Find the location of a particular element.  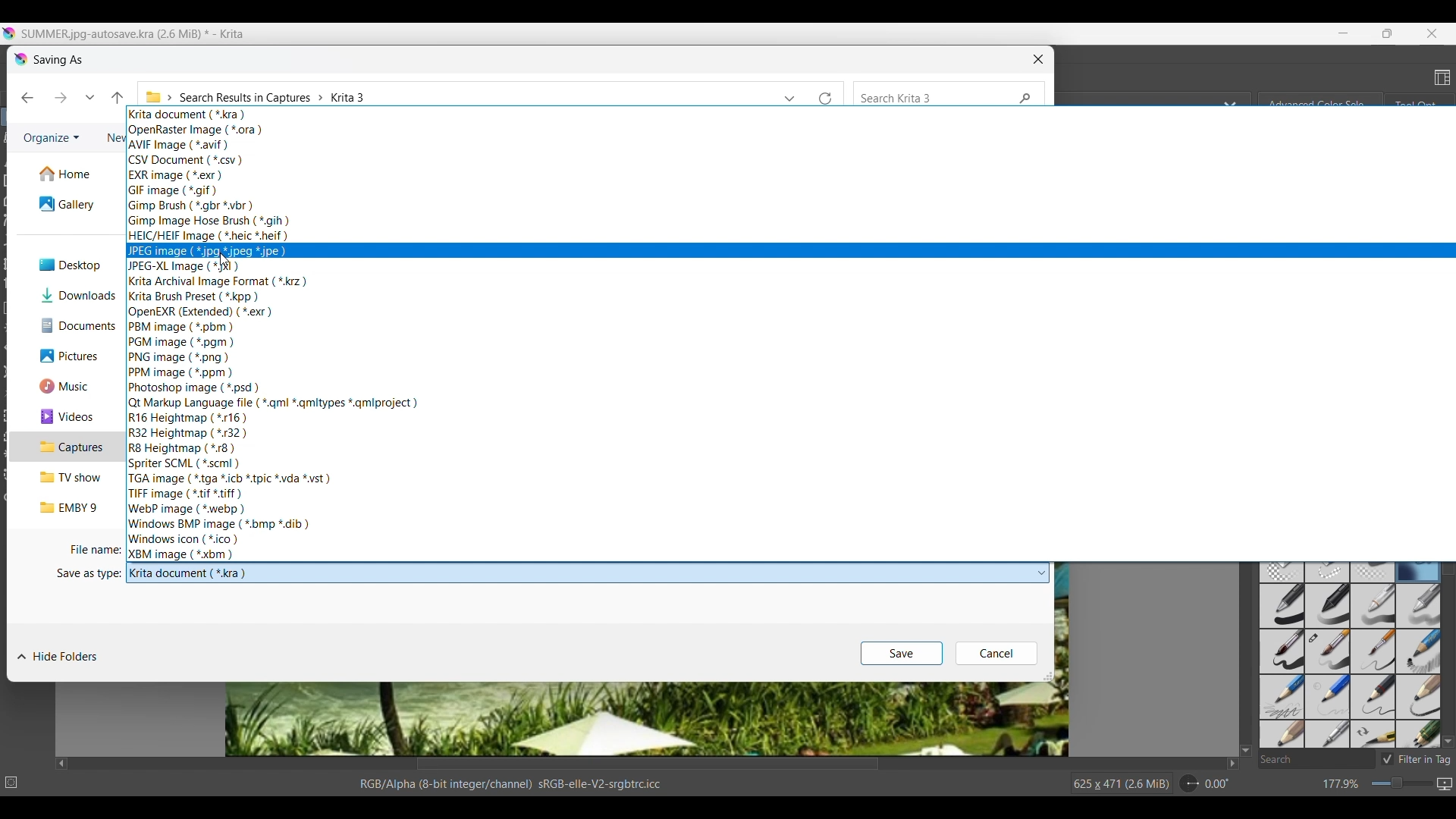

File format options is located at coordinates (273, 334).